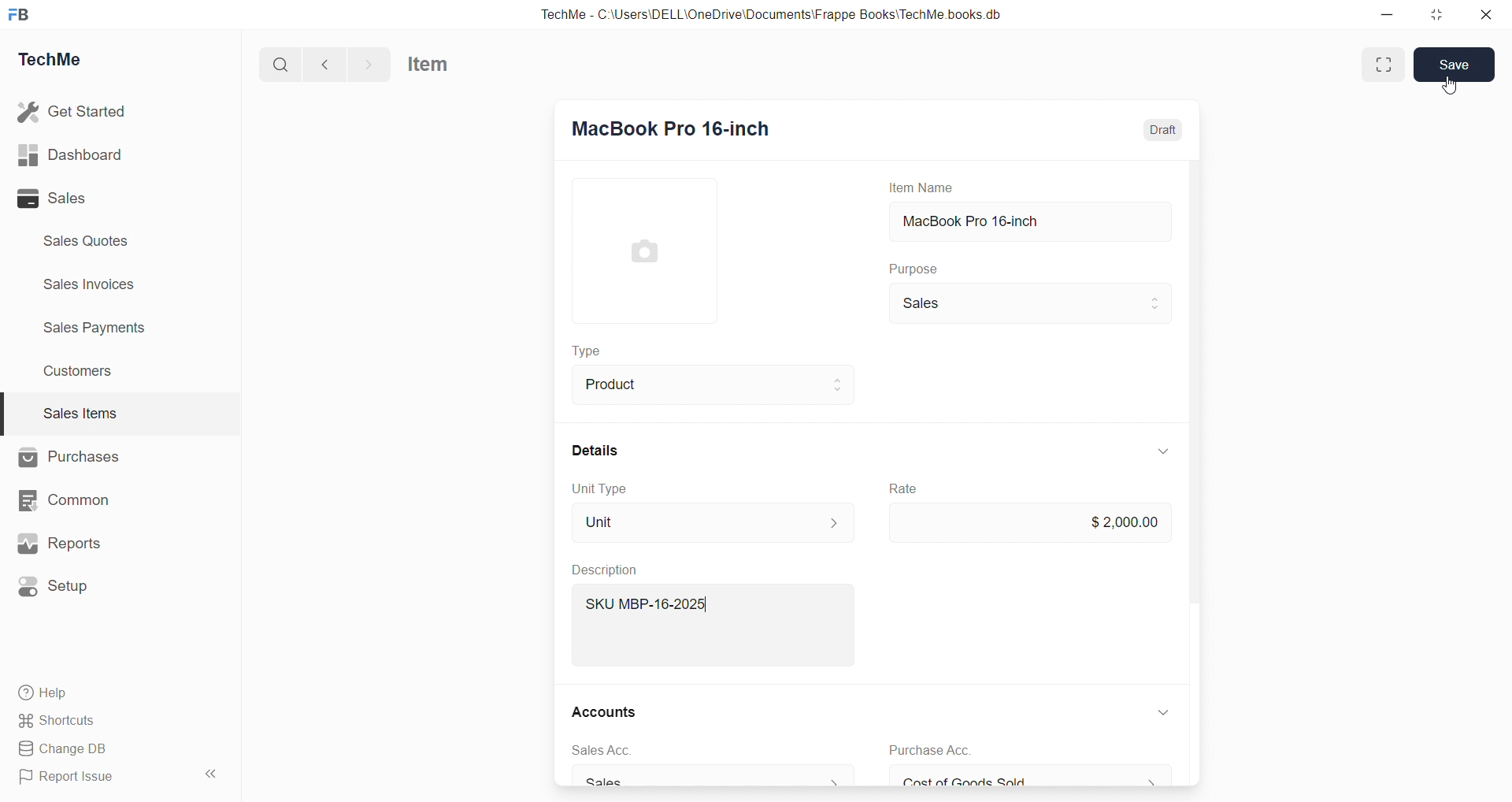  What do you see at coordinates (280, 64) in the screenshot?
I see `search` at bounding box center [280, 64].